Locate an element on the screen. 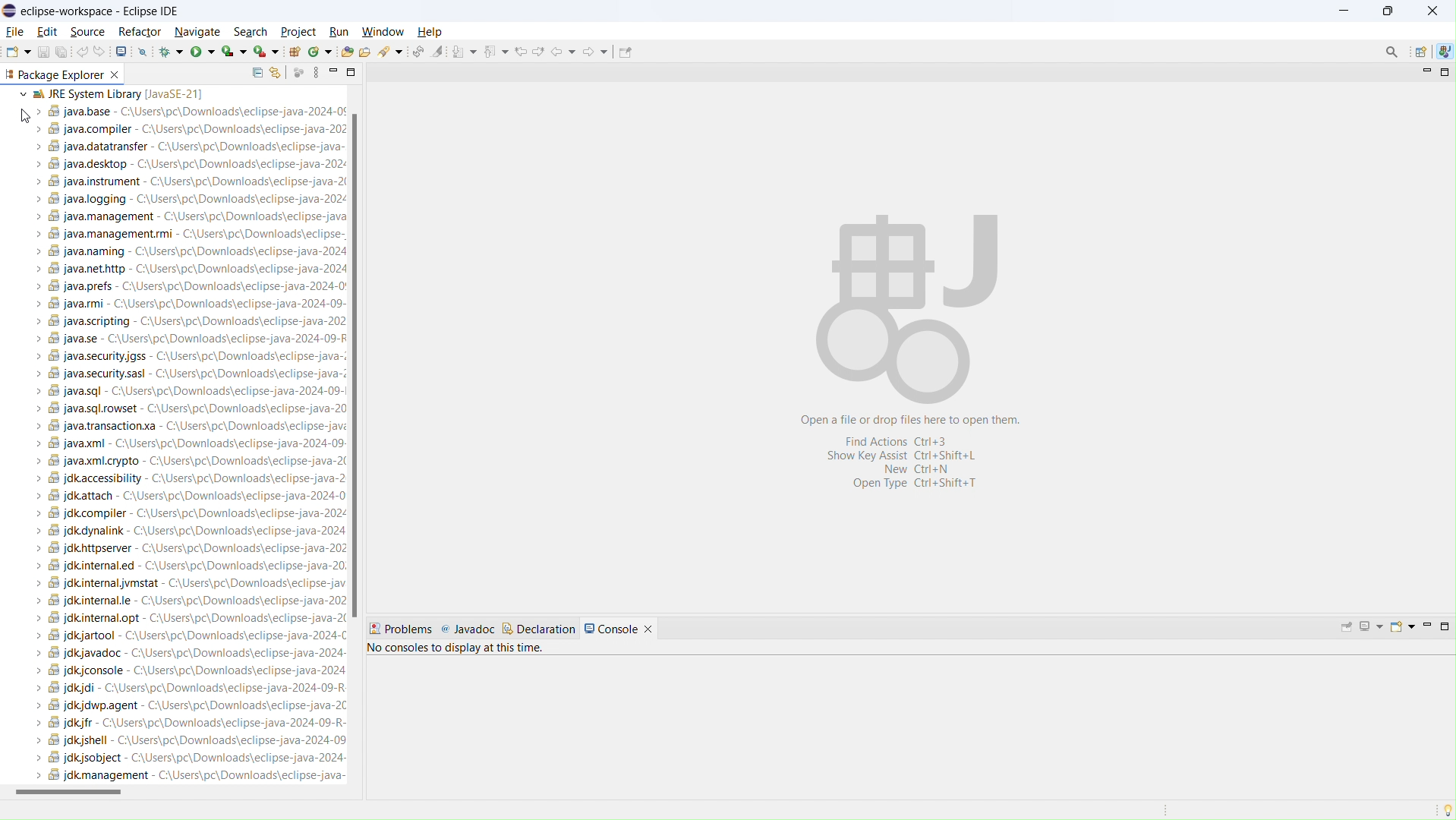 This screenshot has width=1456, height=820. java is located at coordinates (1445, 52).